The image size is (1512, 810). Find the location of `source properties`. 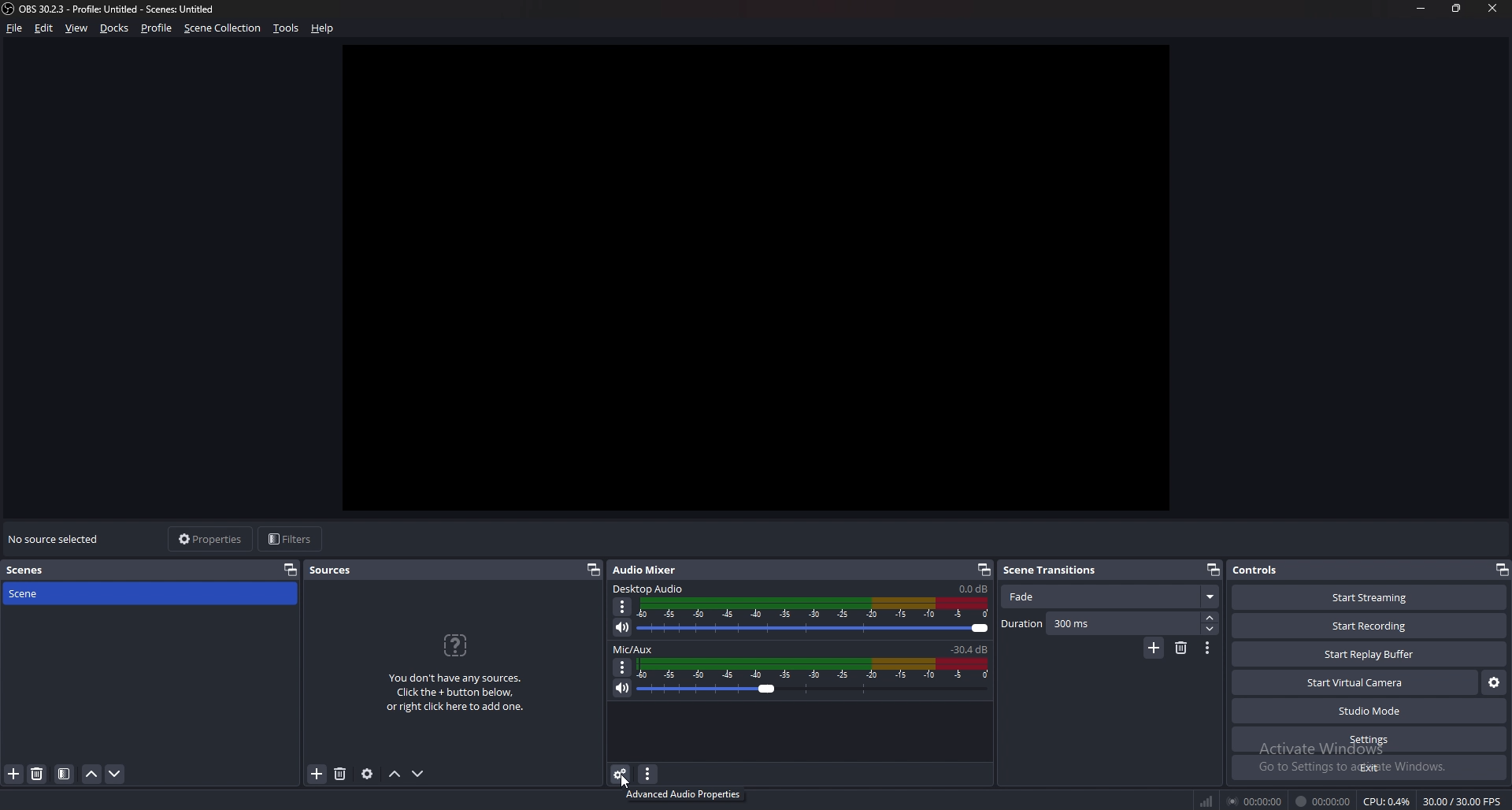

source properties is located at coordinates (367, 774).